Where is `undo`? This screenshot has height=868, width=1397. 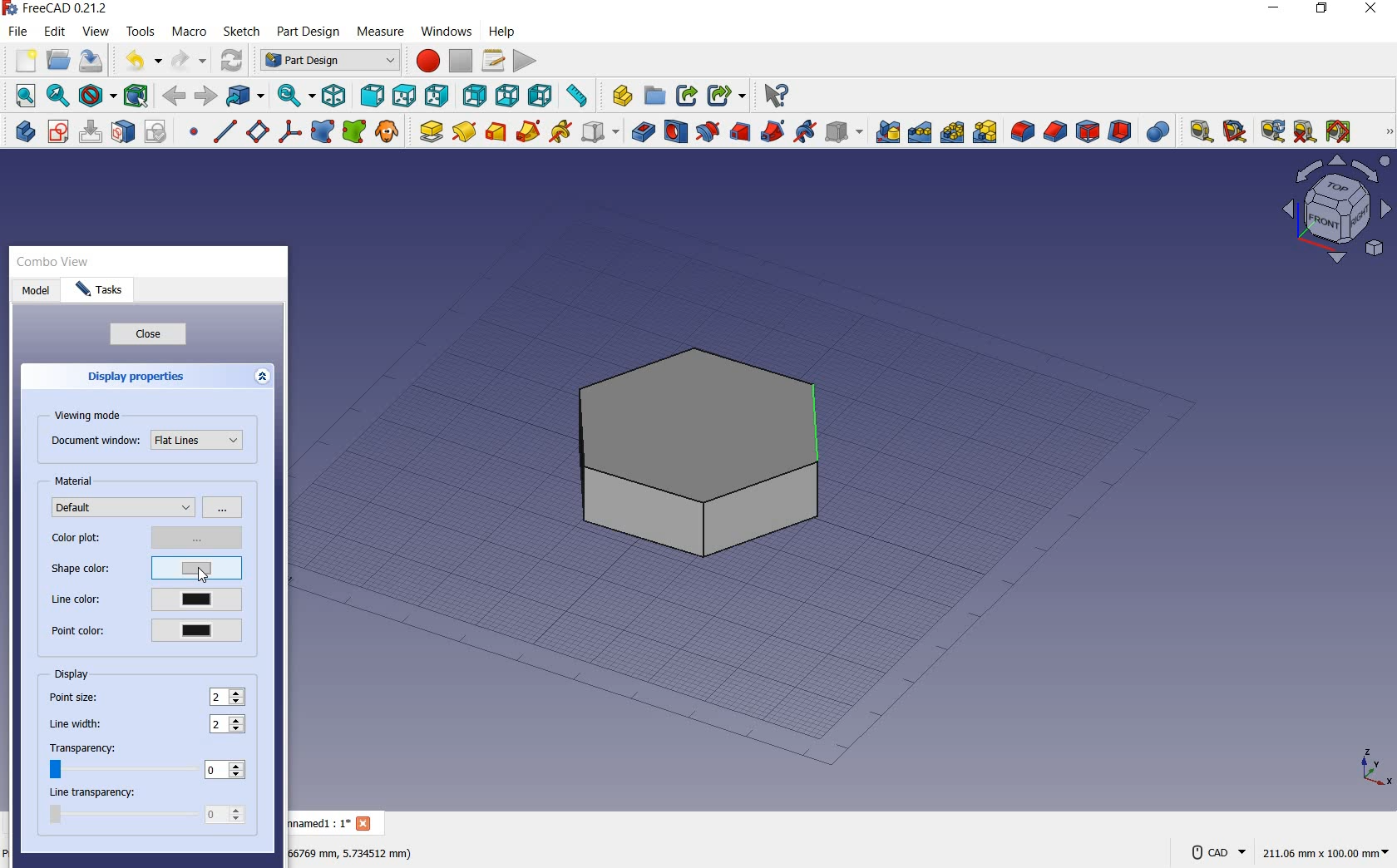 undo is located at coordinates (141, 62).